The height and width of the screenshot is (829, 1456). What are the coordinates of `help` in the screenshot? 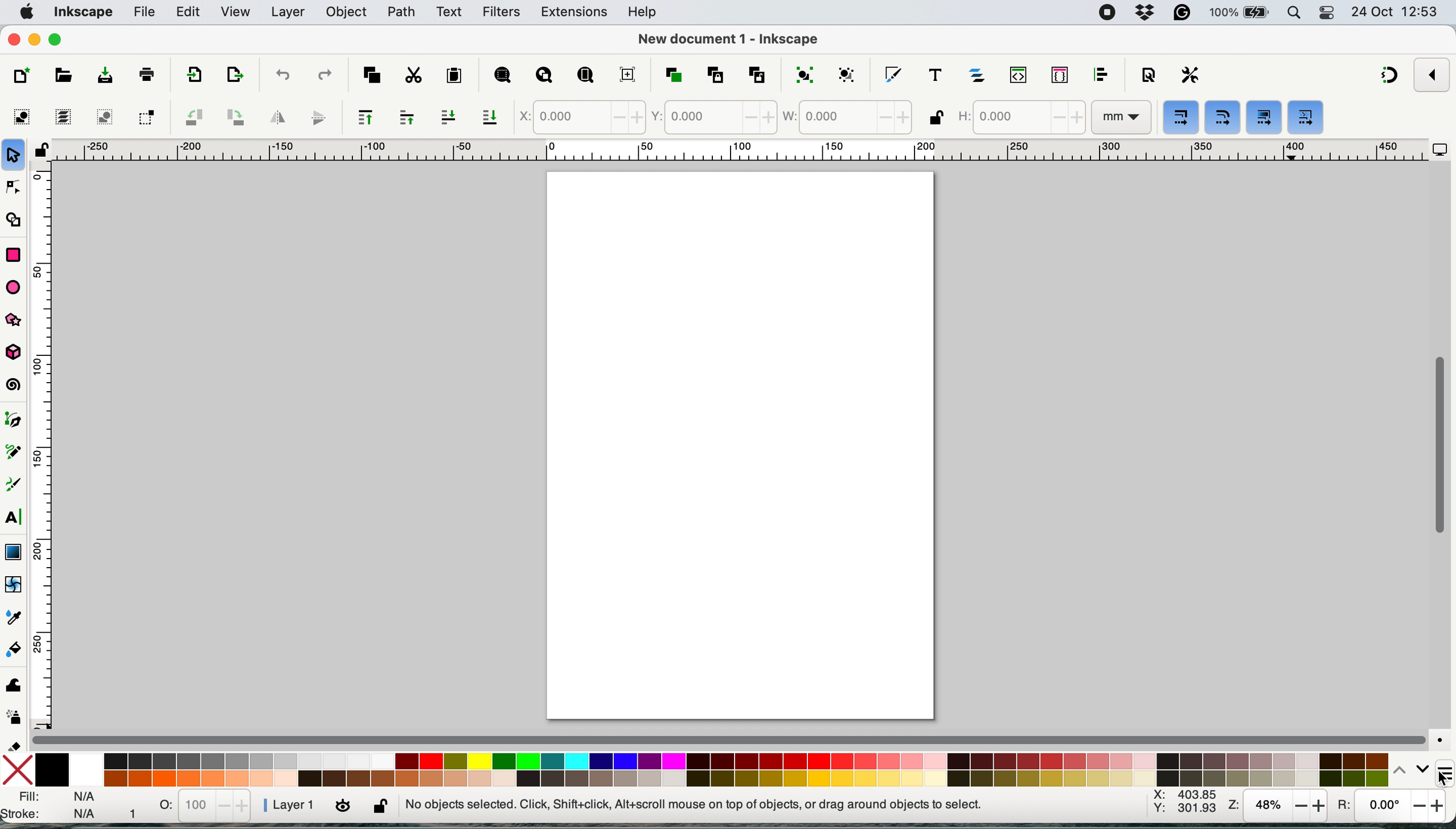 It's located at (642, 13).